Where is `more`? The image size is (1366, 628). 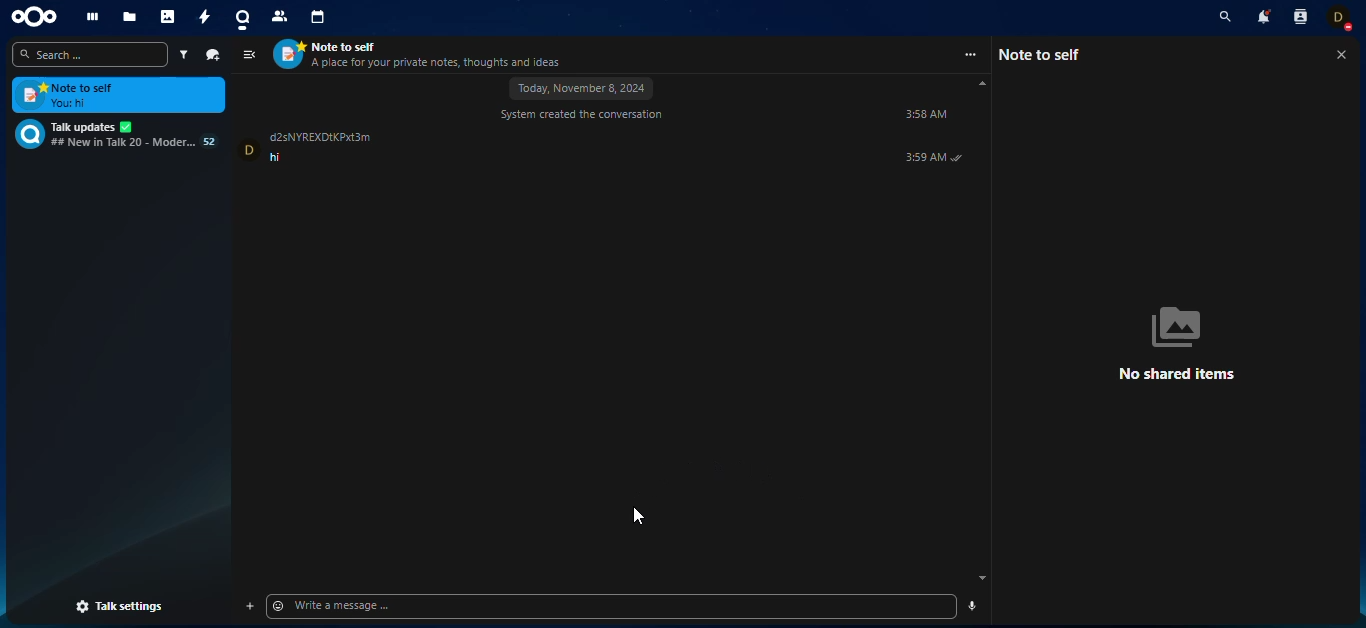 more is located at coordinates (972, 55).